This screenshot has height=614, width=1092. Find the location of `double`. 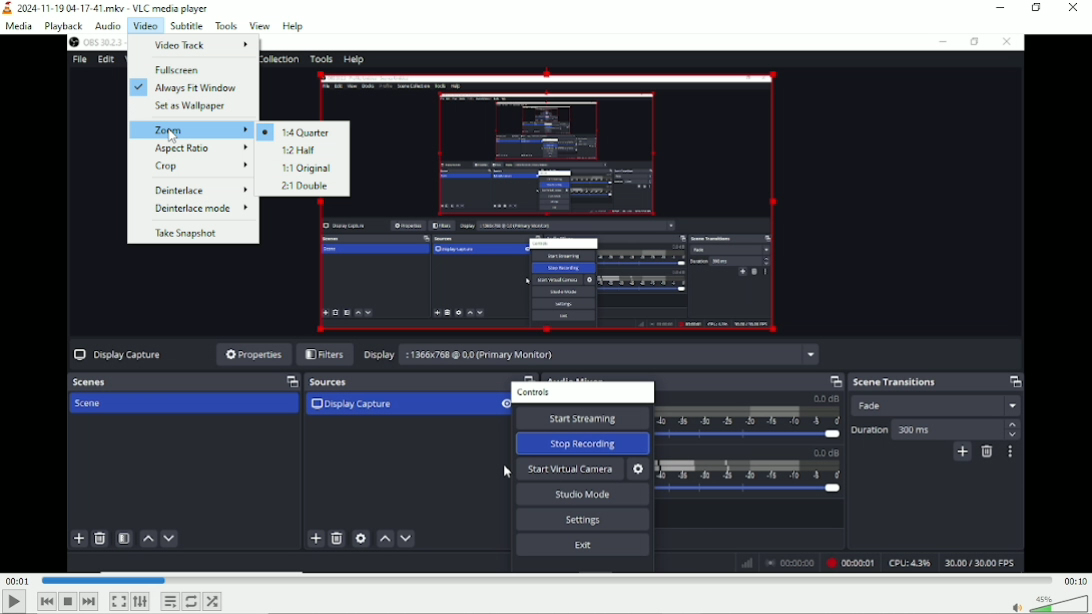

double is located at coordinates (303, 187).